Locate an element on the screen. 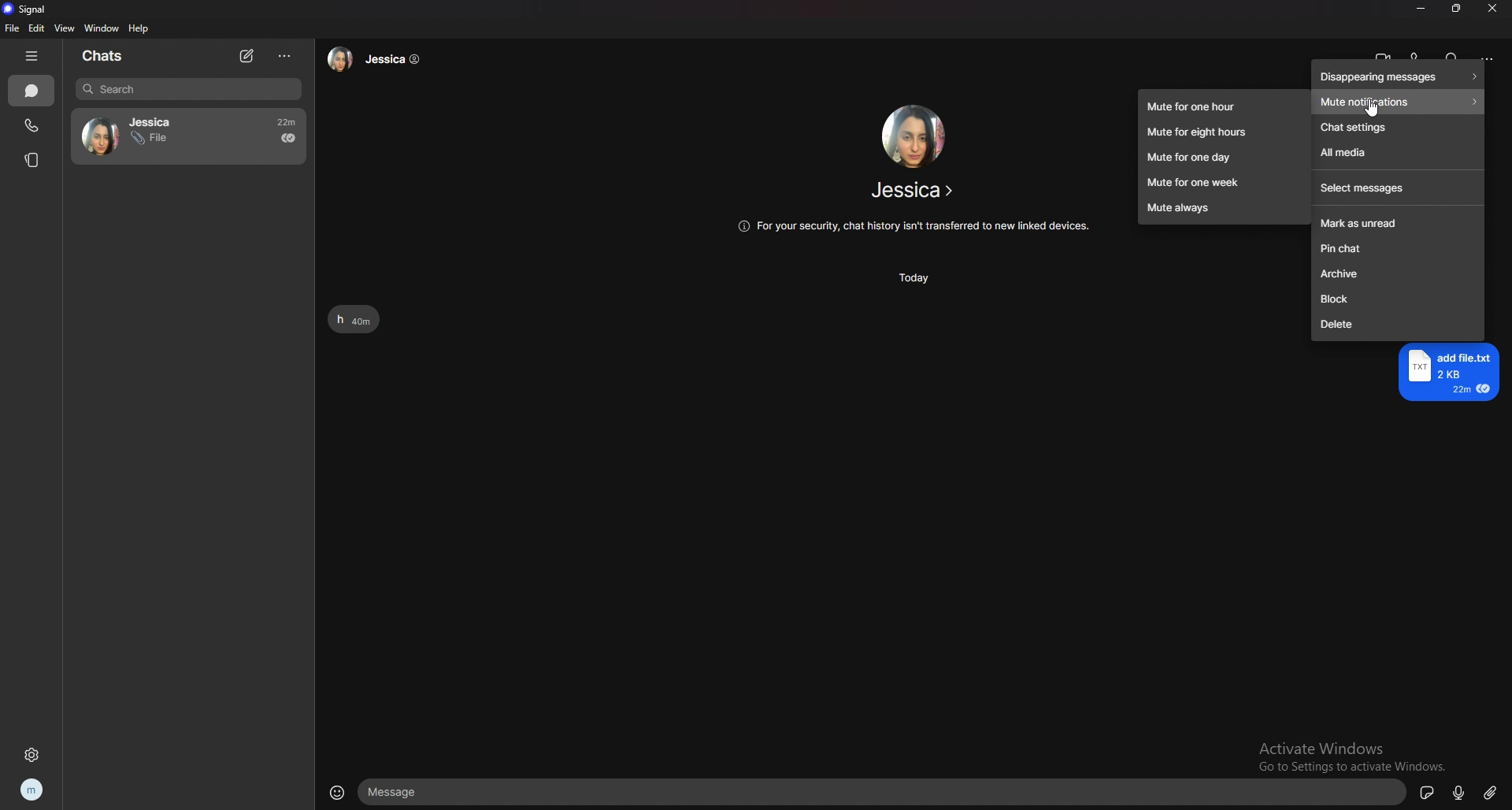  seen is located at coordinates (288, 138).